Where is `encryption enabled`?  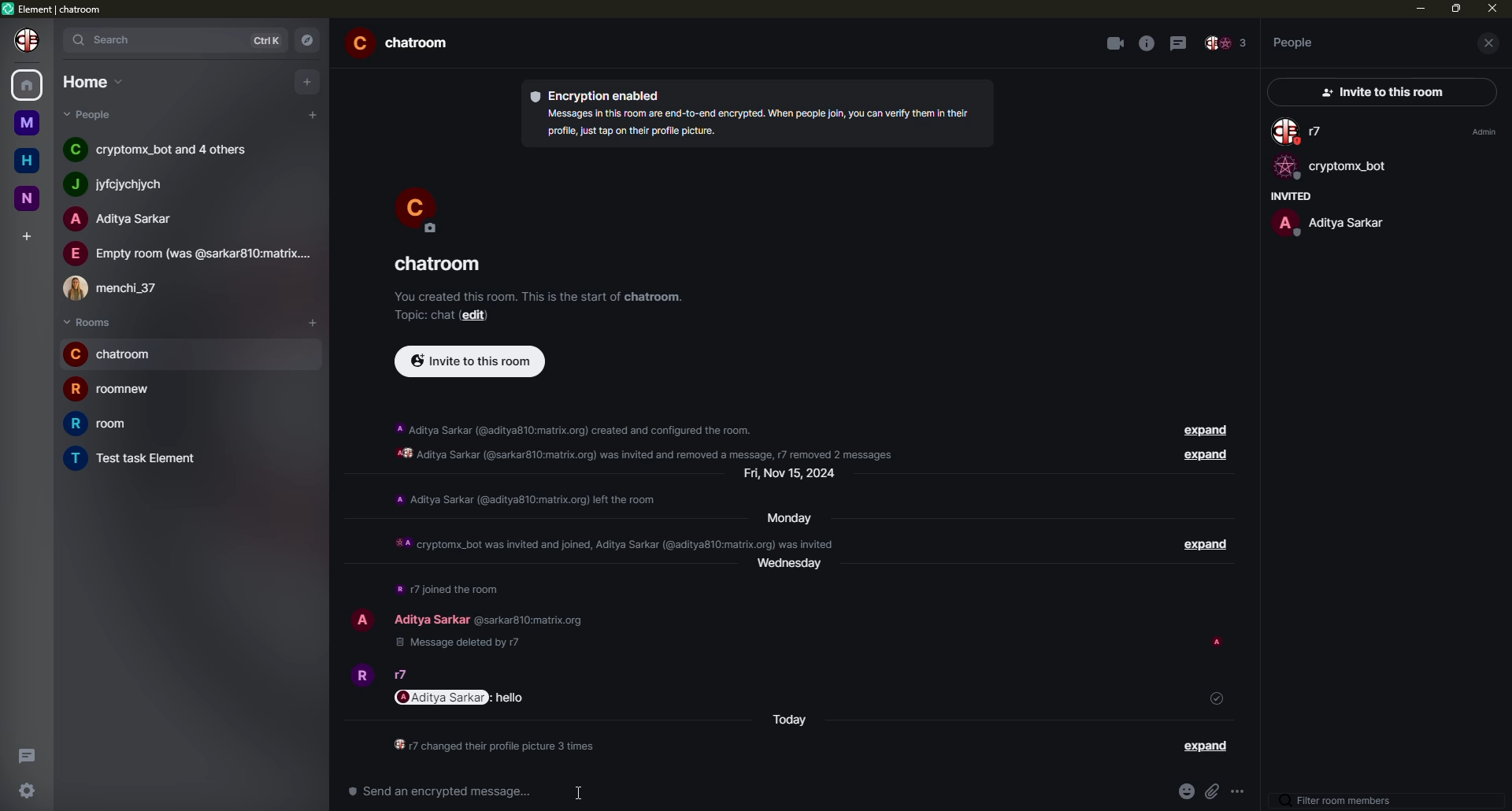
encryption enabled is located at coordinates (601, 94).